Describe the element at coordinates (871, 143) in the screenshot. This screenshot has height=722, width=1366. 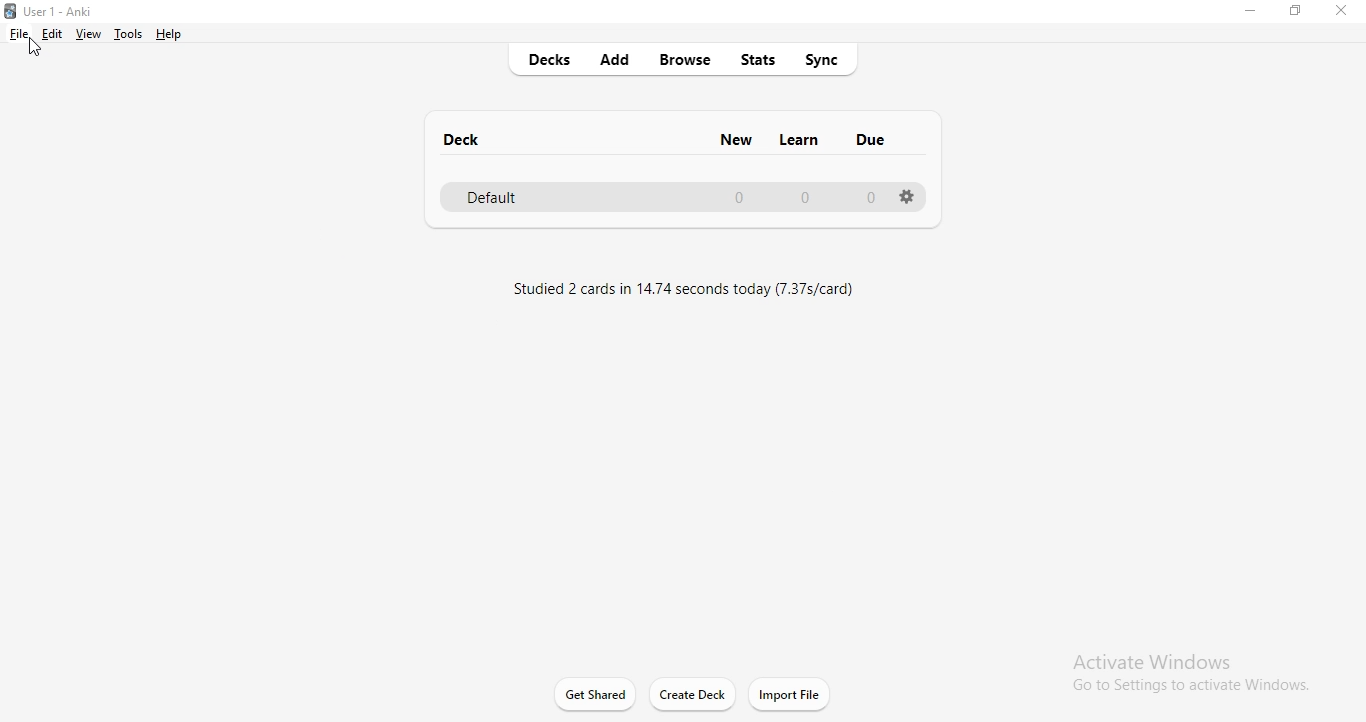
I see `due` at that location.